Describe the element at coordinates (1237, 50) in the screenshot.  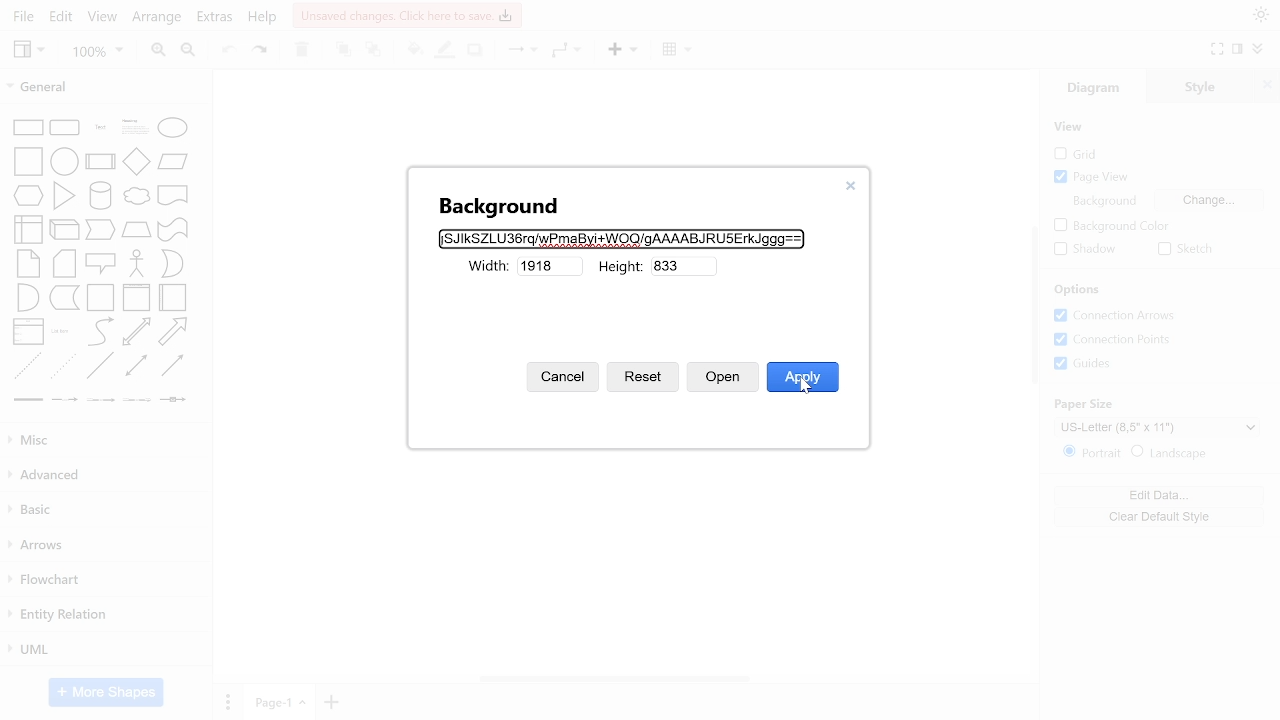
I see `format` at that location.